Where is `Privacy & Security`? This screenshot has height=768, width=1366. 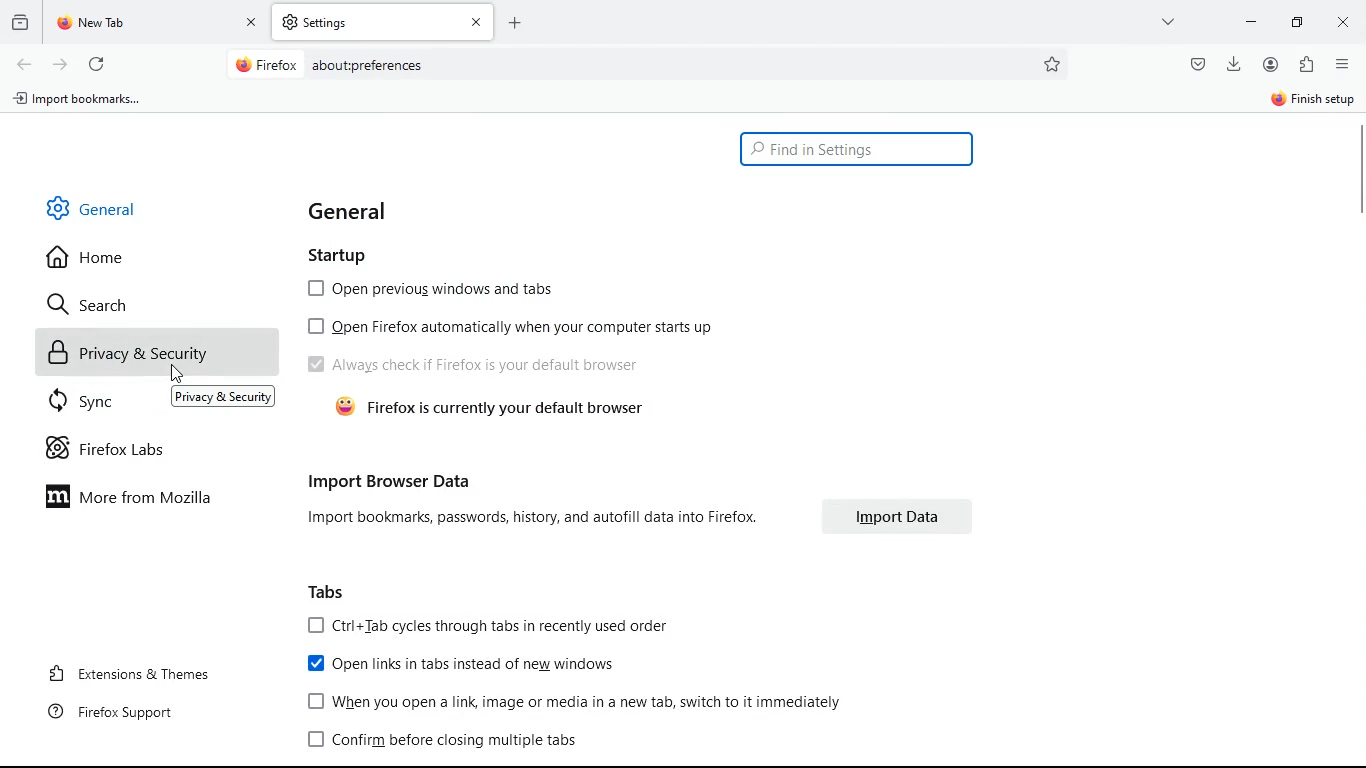 Privacy & Security is located at coordinates (224, 395).